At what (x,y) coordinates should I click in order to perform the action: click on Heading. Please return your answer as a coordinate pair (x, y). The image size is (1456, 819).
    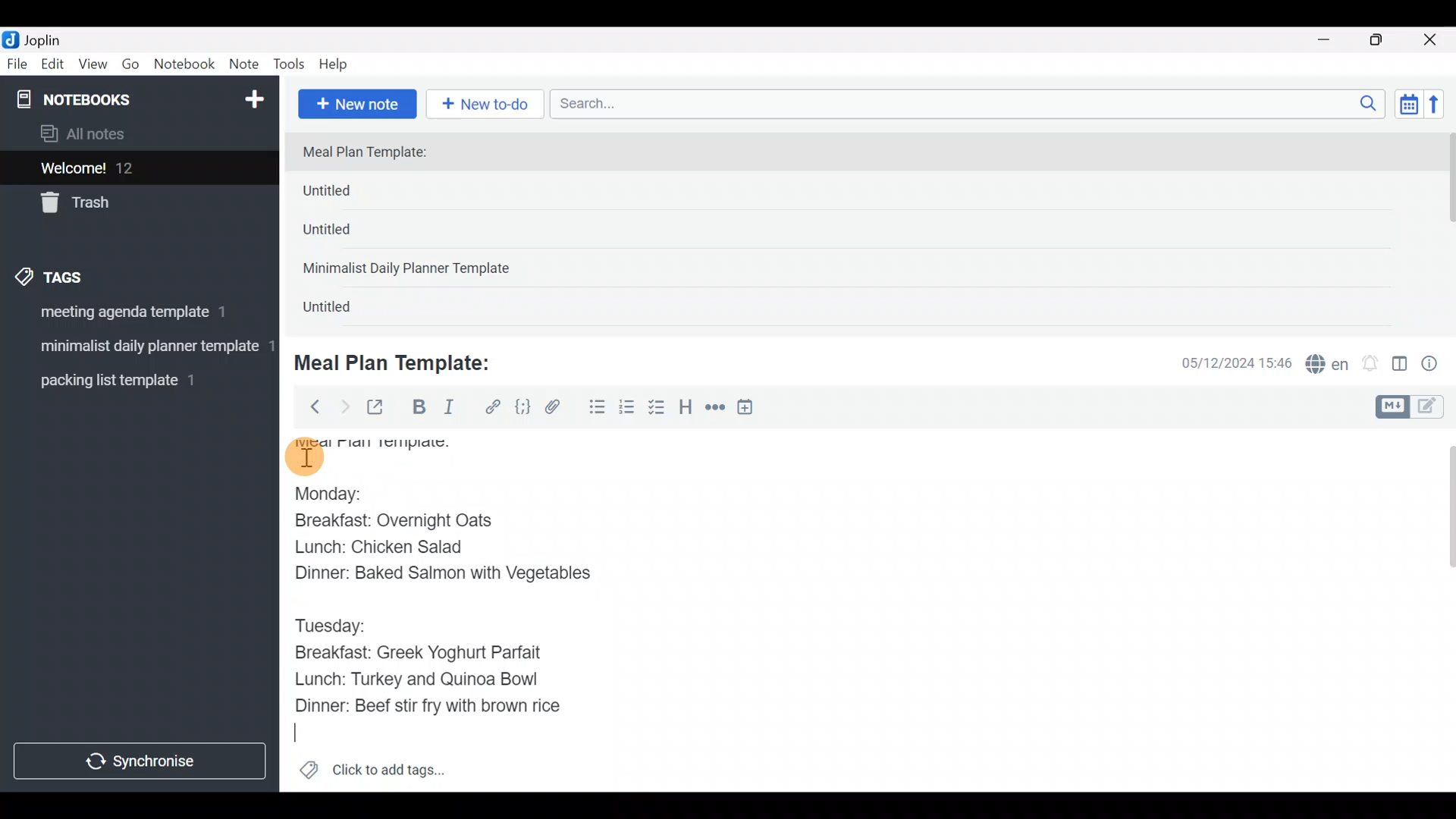
    Looking at the image, I should click on (686, 409).